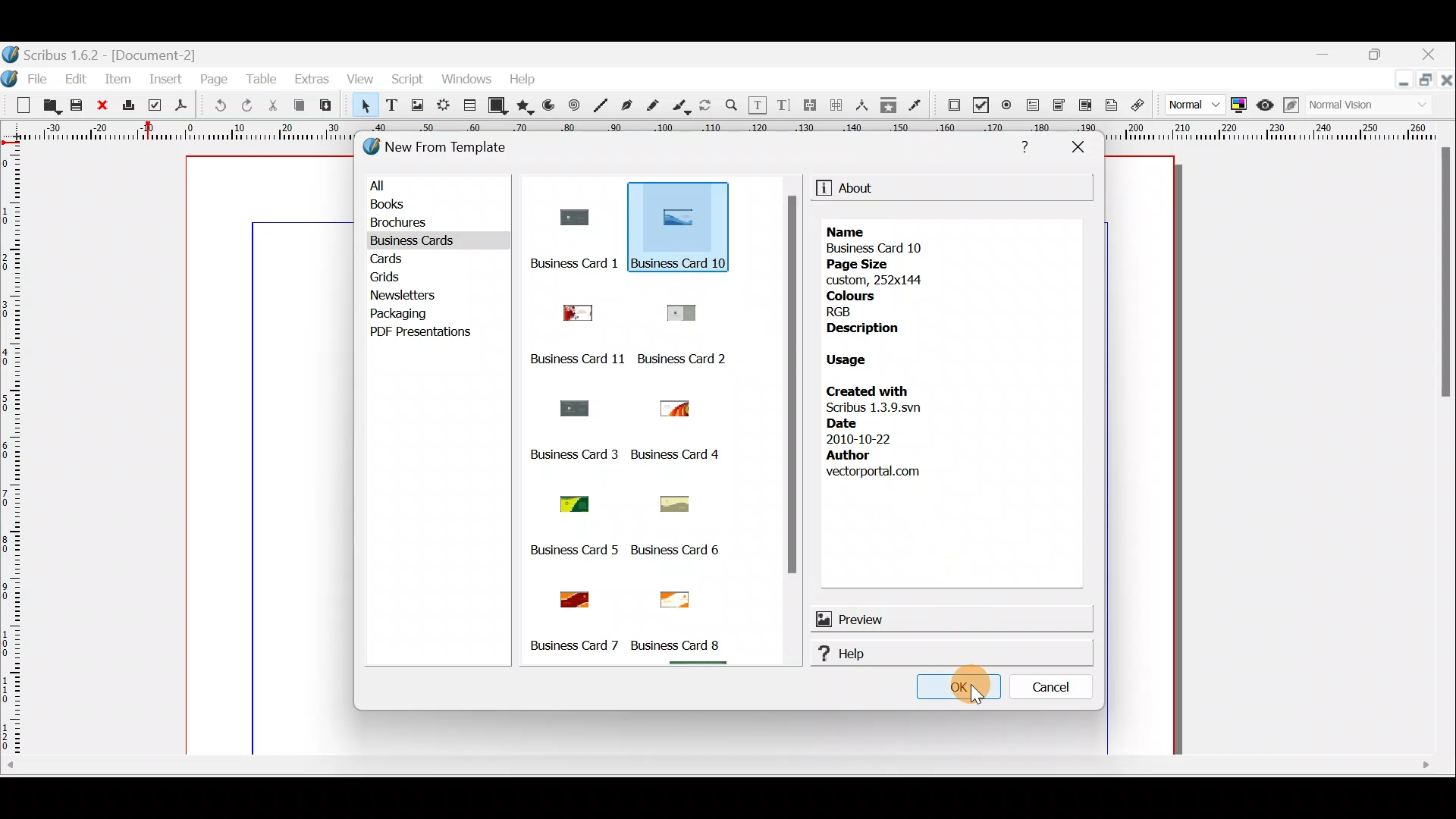 The height and width of the screenshot is (819, 1456). I want to click on Arc, so click(549, 107).